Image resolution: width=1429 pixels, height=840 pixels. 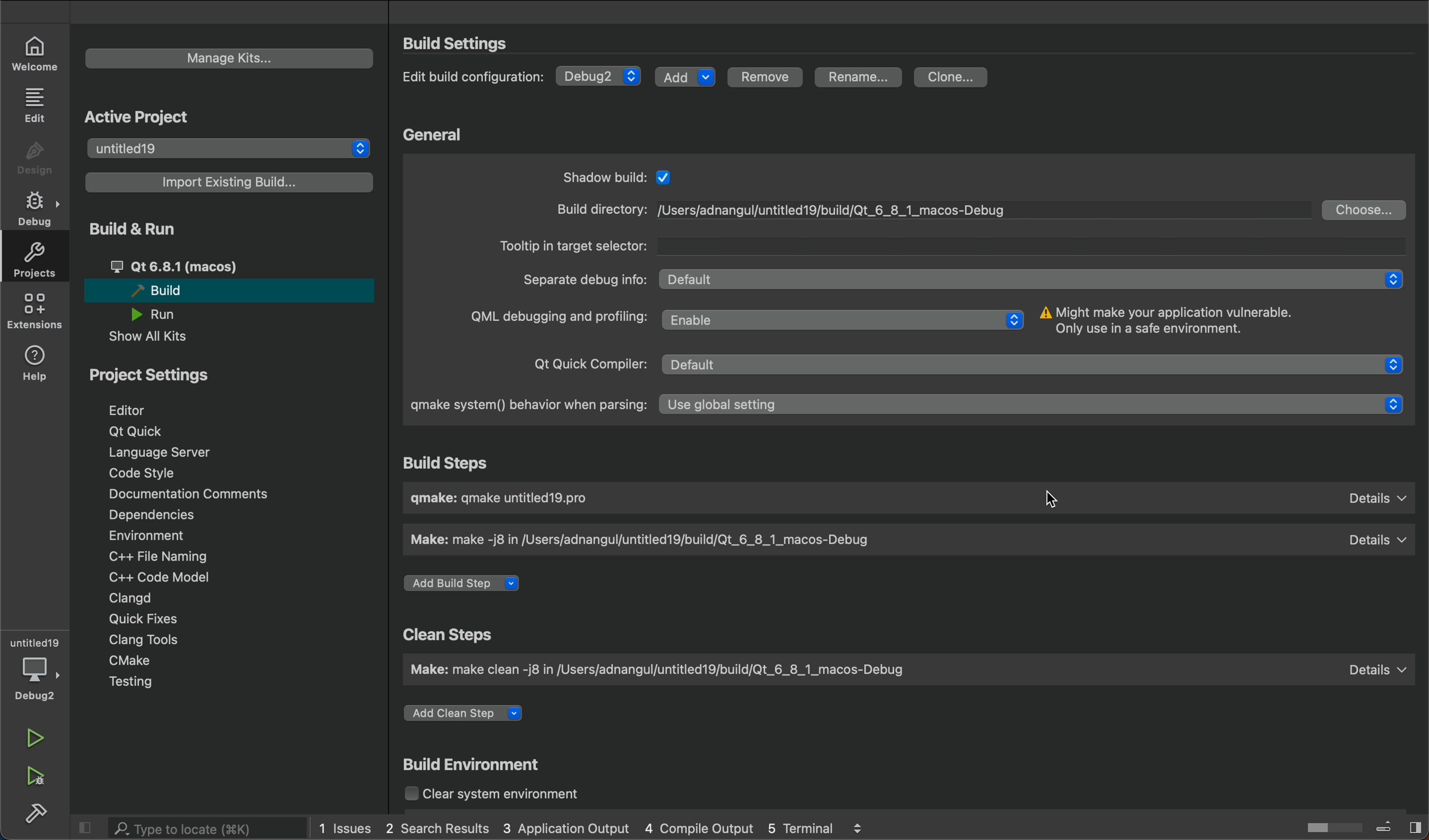 What do you see at coordinates (226, 290) in the screenshot?
I see `build` at bounding box center [226, 290].